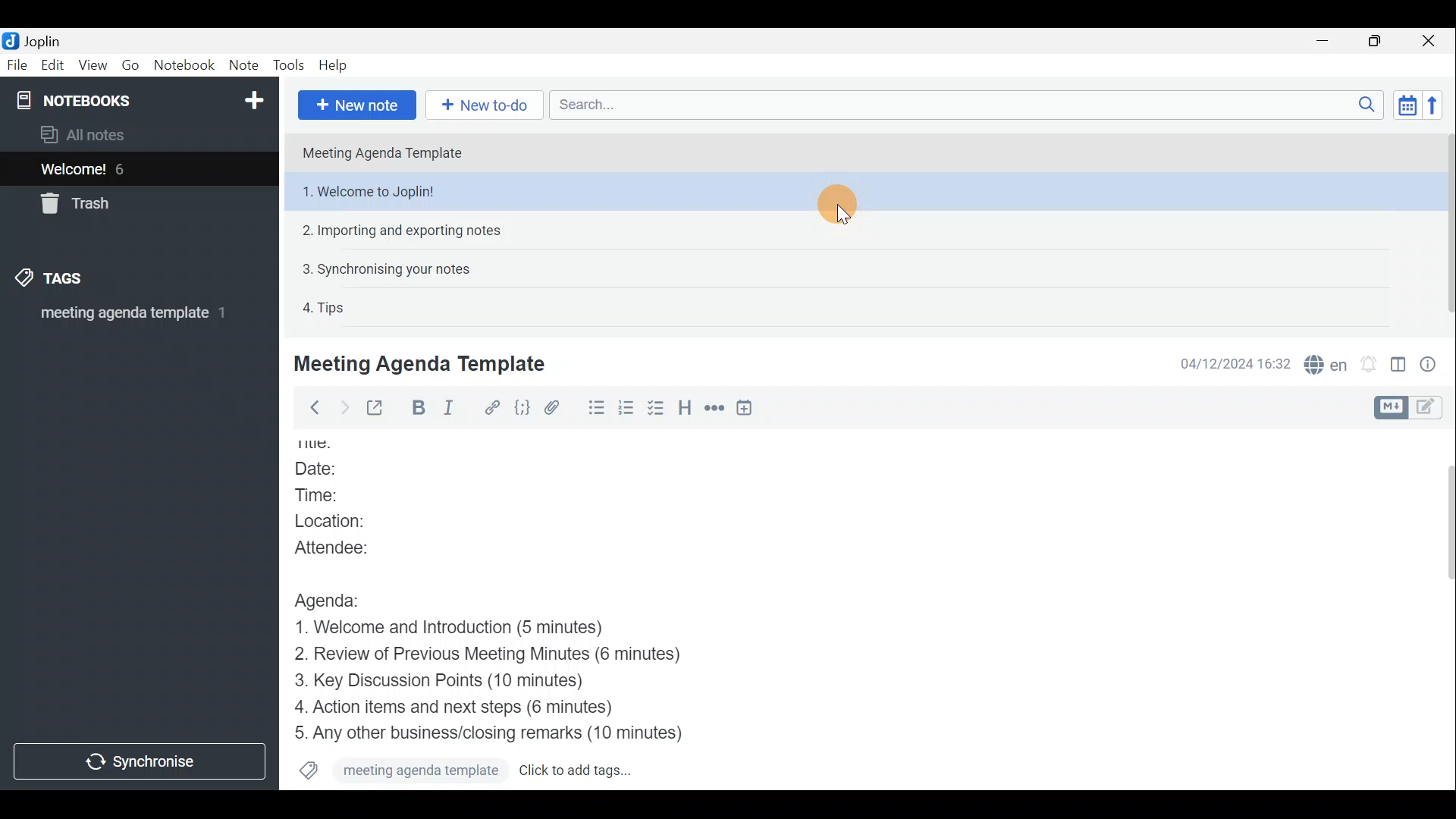  What do you see at coordinates (388, 152) in the screenshot?
I see `Meeting Agenda Template` at bounding box center [388, 152].